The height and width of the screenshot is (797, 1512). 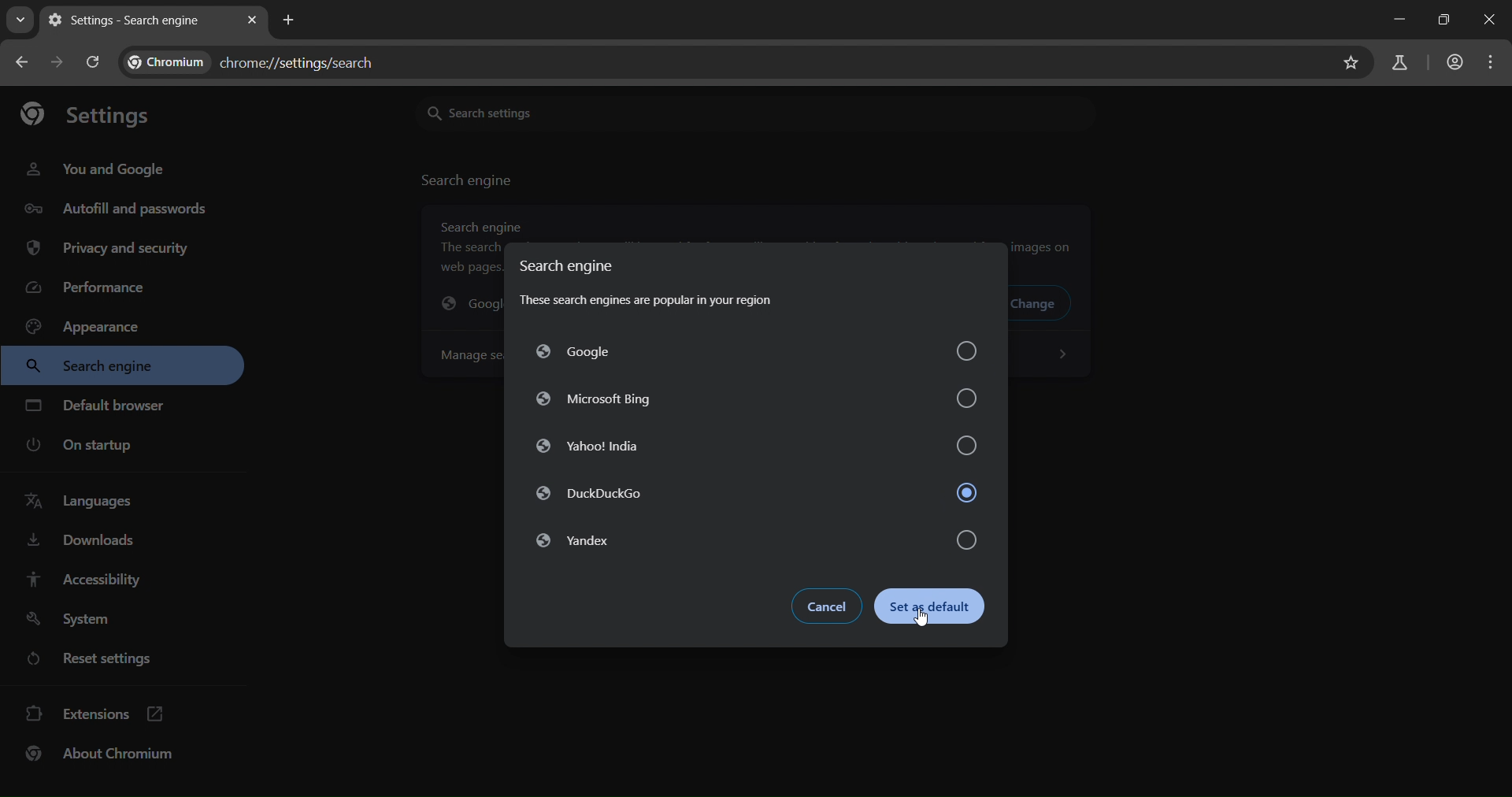 I want to click on on startup, so click(x=81, y=446).